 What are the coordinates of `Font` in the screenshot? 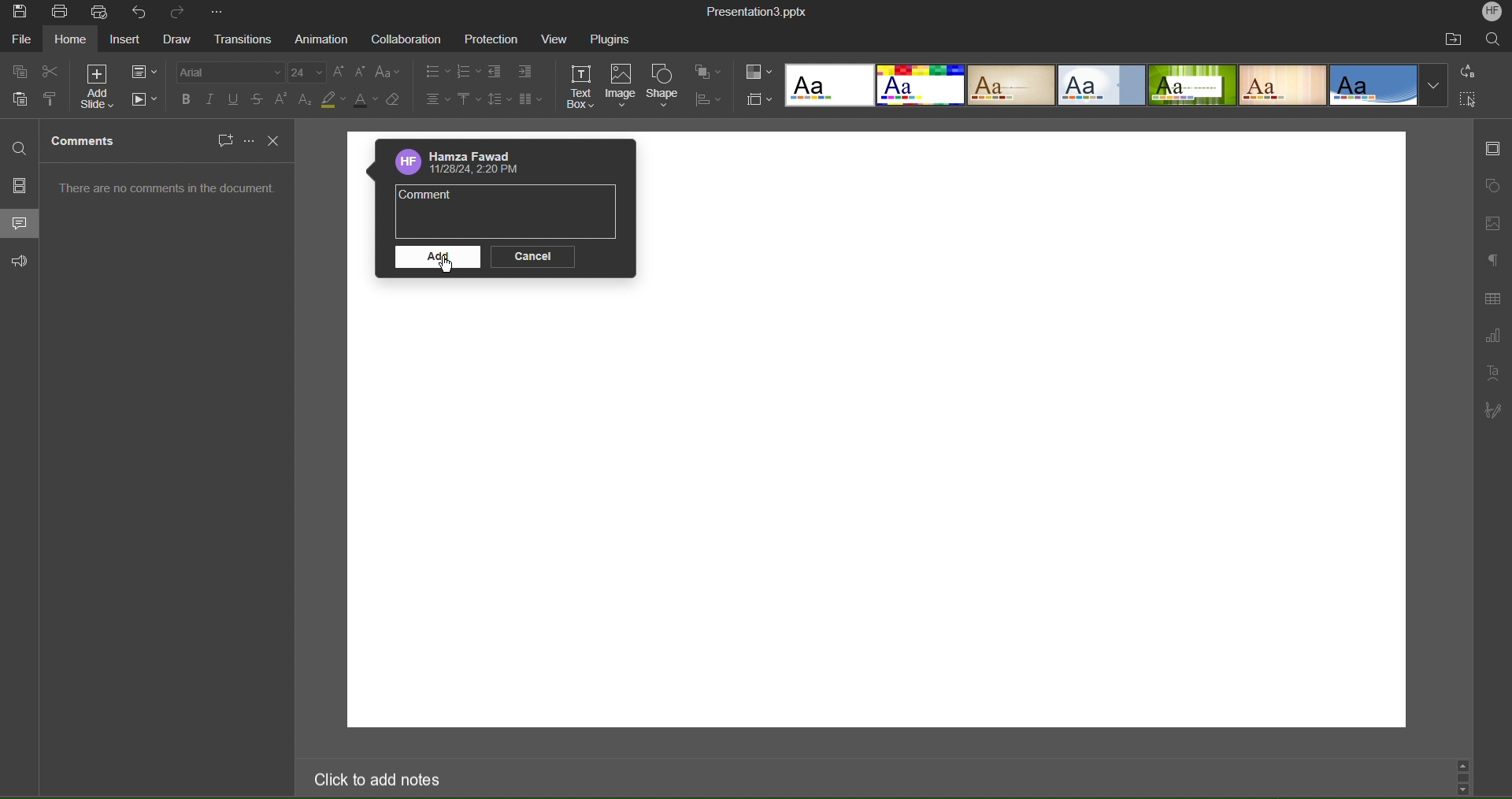 It's located at (231, 72).